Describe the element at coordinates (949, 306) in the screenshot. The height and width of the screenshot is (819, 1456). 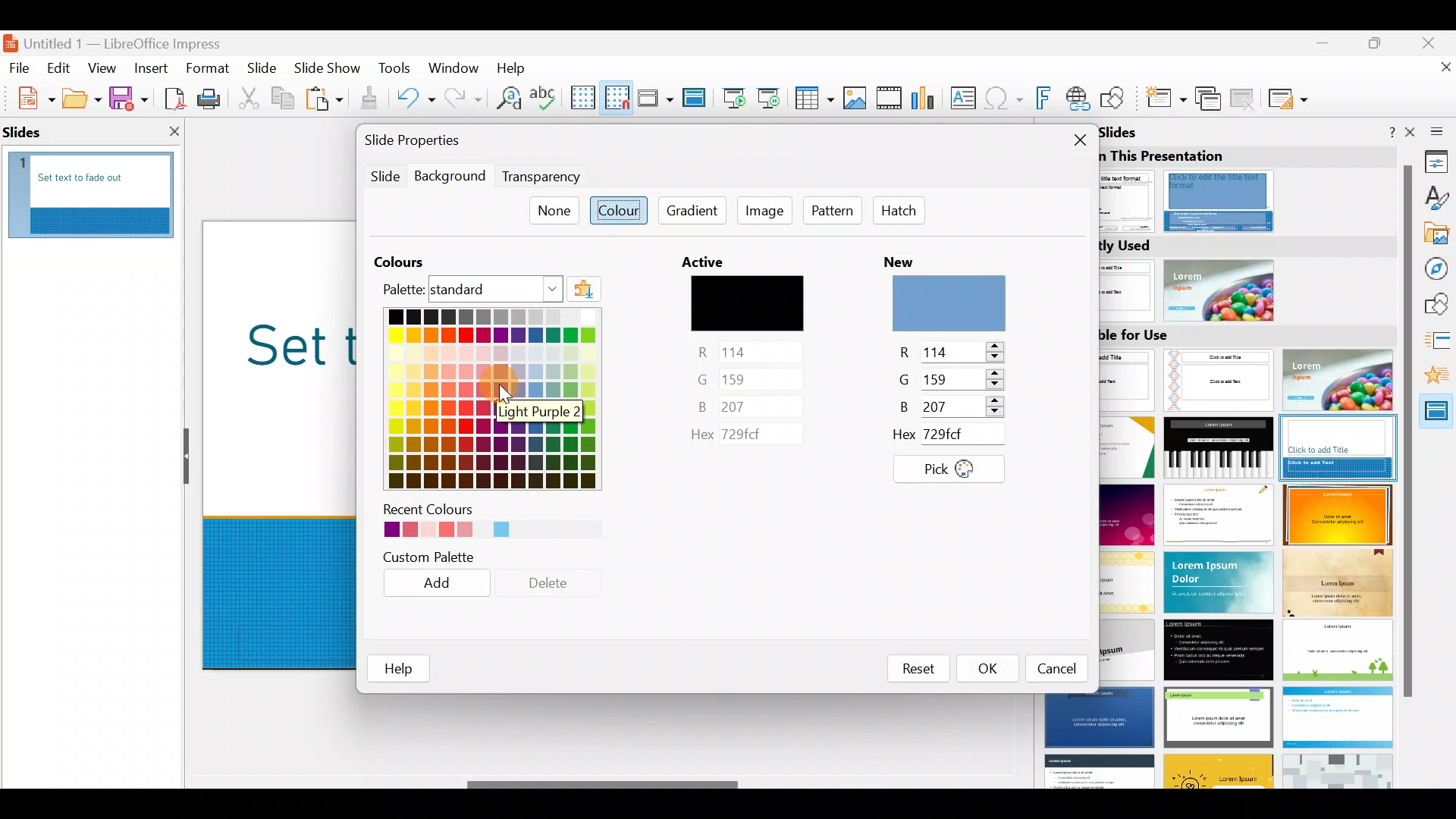
I see `preview` at that location.